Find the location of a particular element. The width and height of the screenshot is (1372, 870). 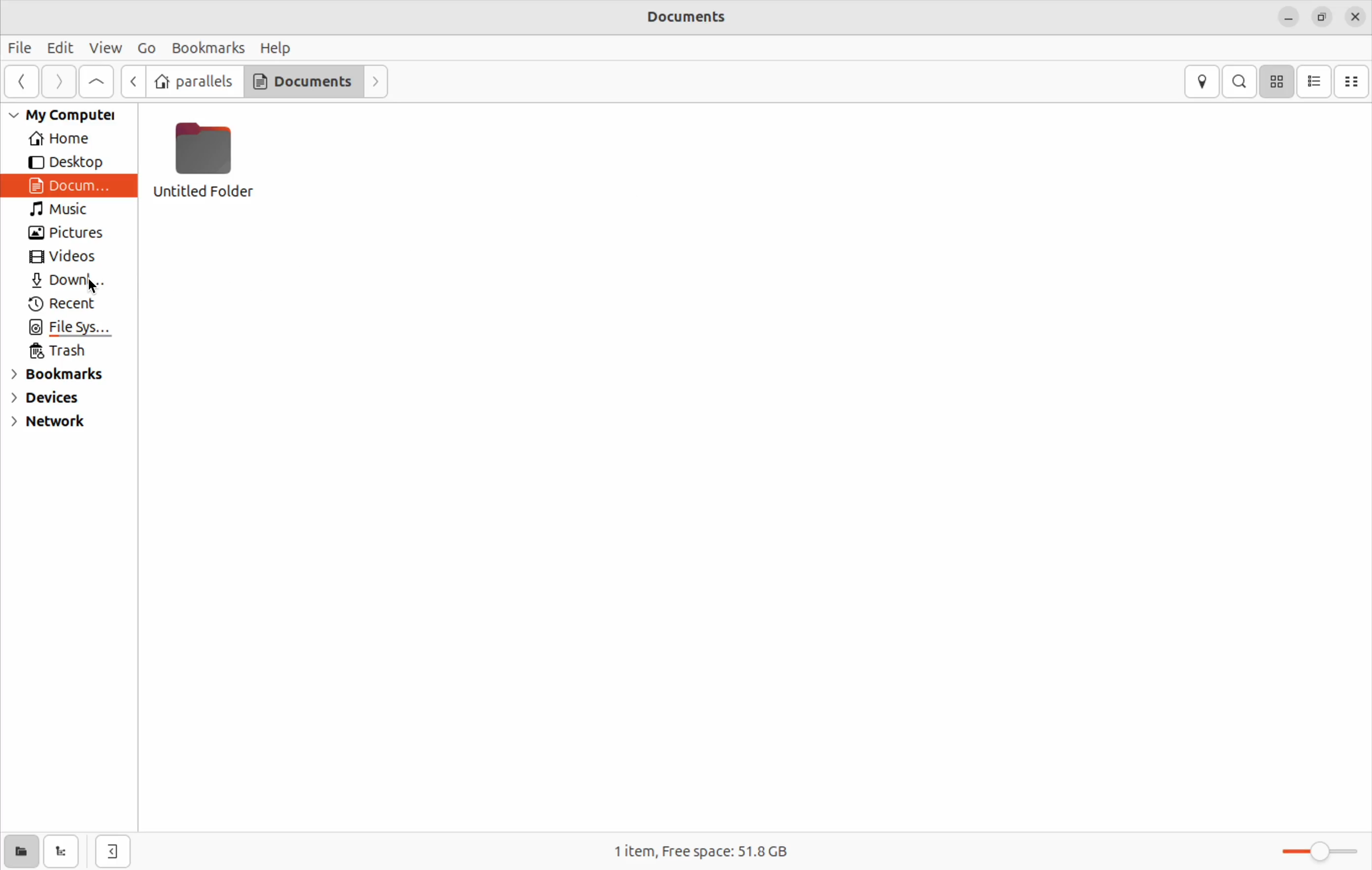

close is located at coordinates (1355, 15).